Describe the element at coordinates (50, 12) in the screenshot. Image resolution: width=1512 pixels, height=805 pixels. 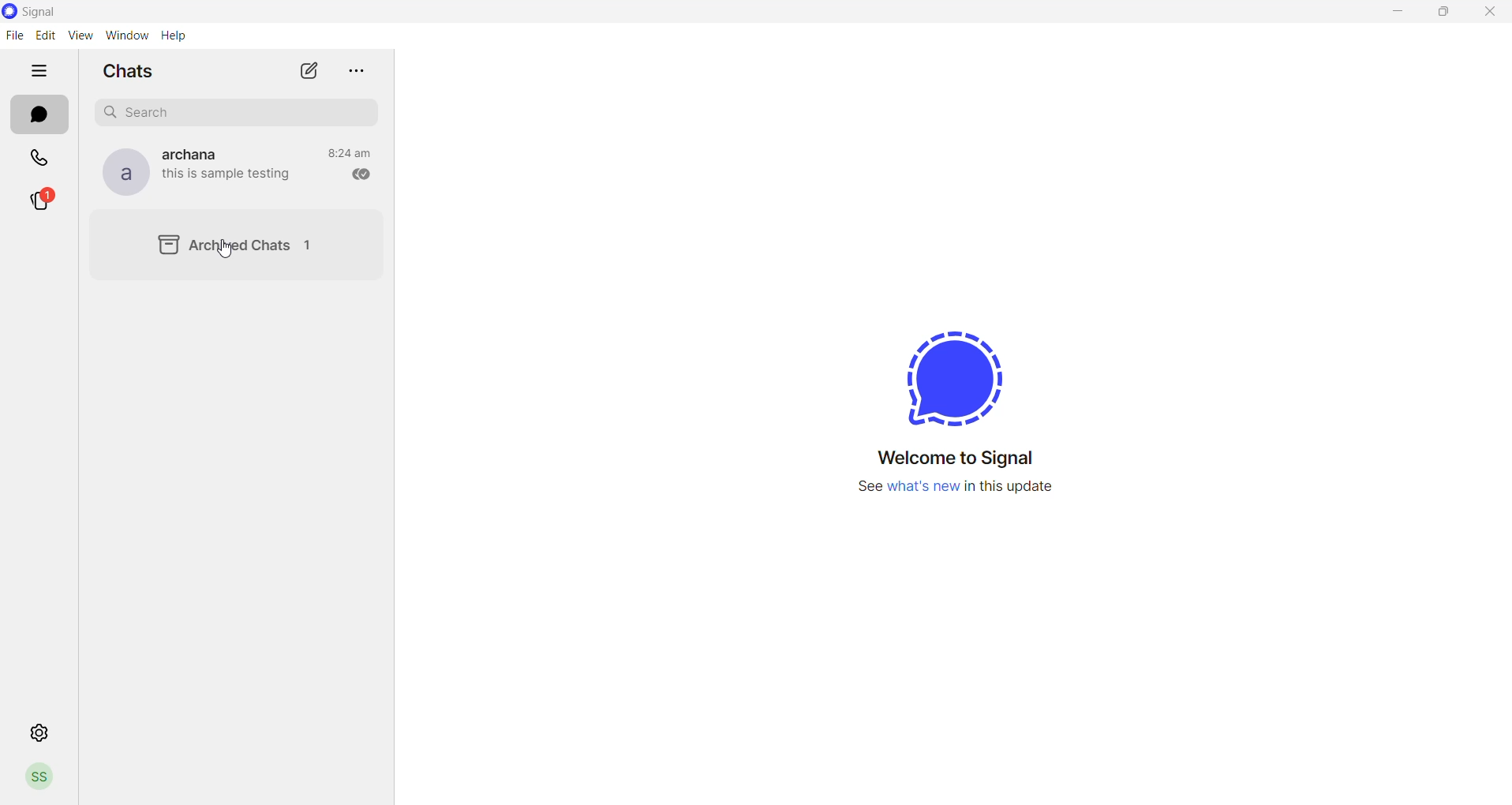
I see `application name and logo` at that location.